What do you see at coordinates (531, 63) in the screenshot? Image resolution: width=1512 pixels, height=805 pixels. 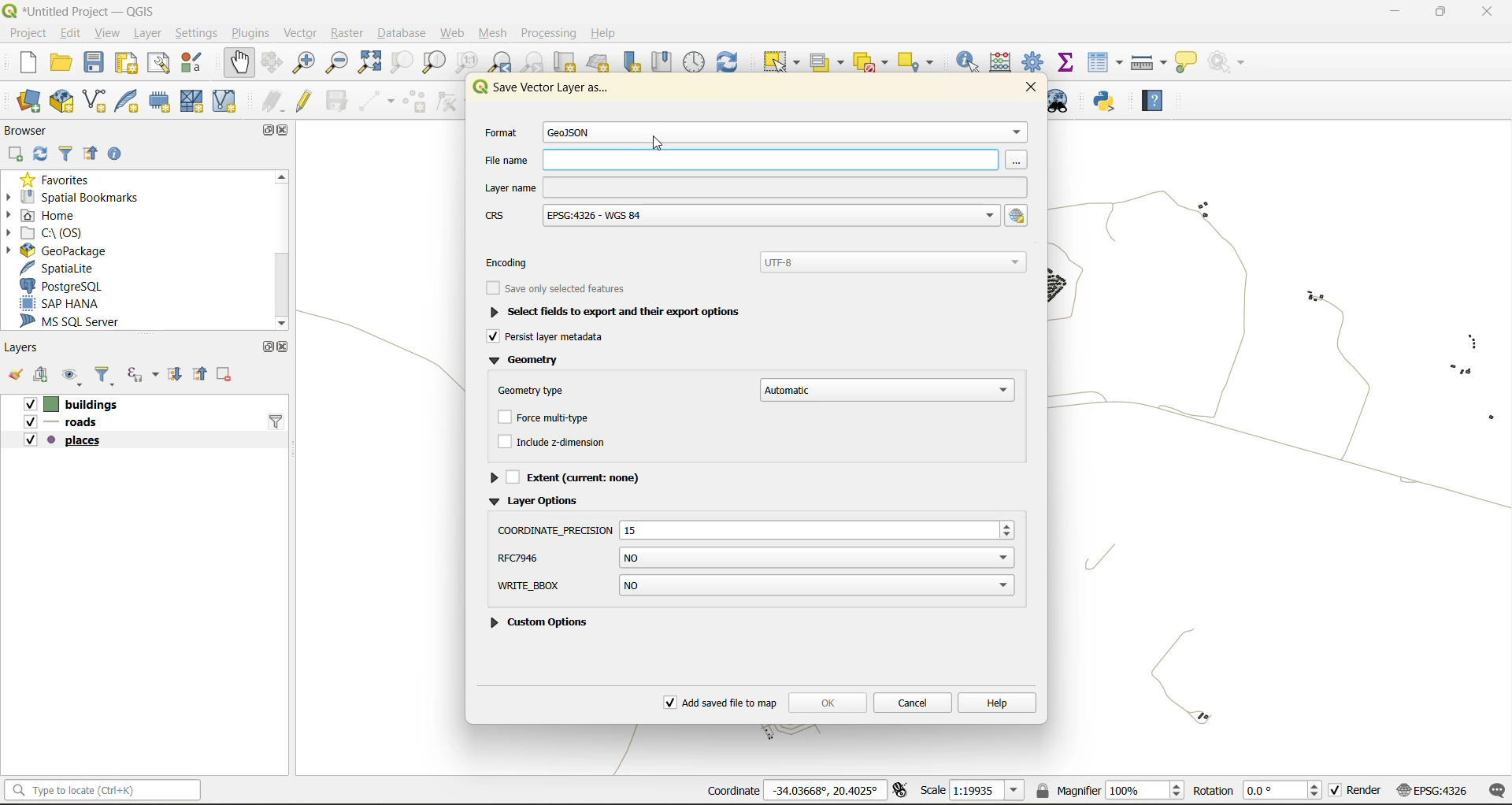 I see `zoom next` at bounding box center [531, 63].